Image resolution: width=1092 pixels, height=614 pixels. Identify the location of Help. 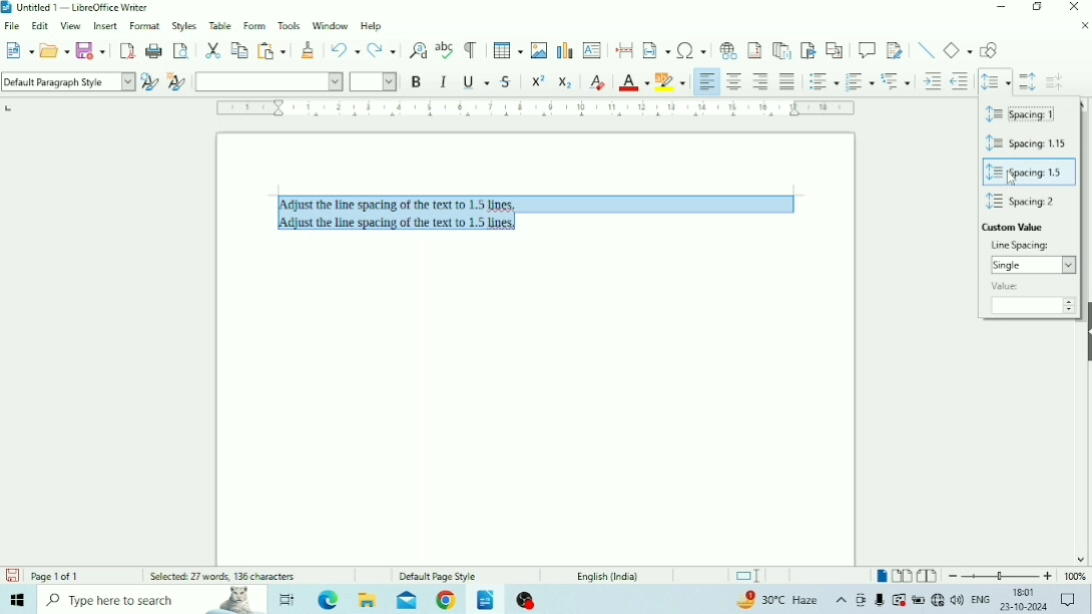
(372, 26).